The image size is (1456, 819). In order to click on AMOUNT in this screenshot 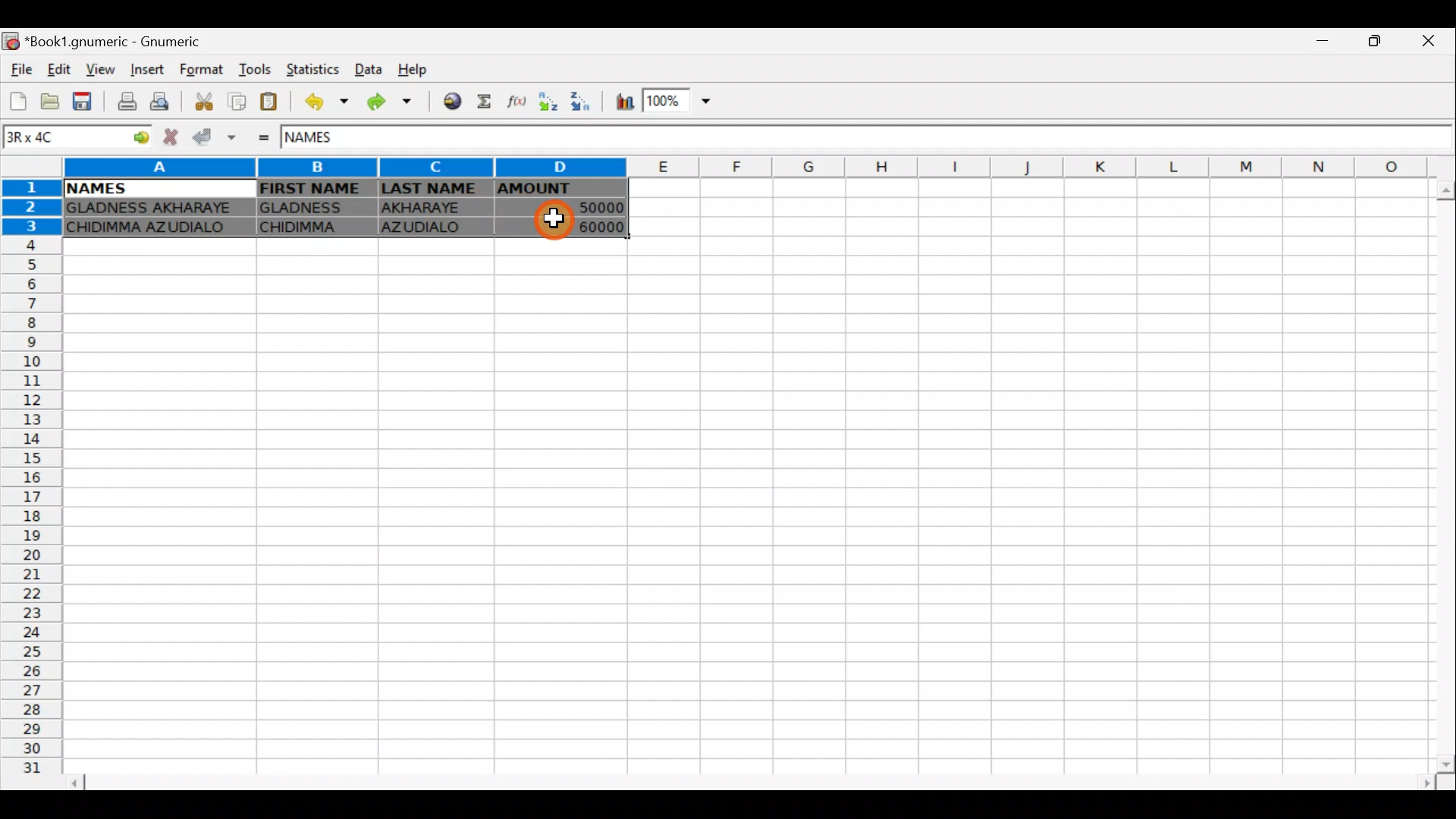, I will do `click(558, 190)`.